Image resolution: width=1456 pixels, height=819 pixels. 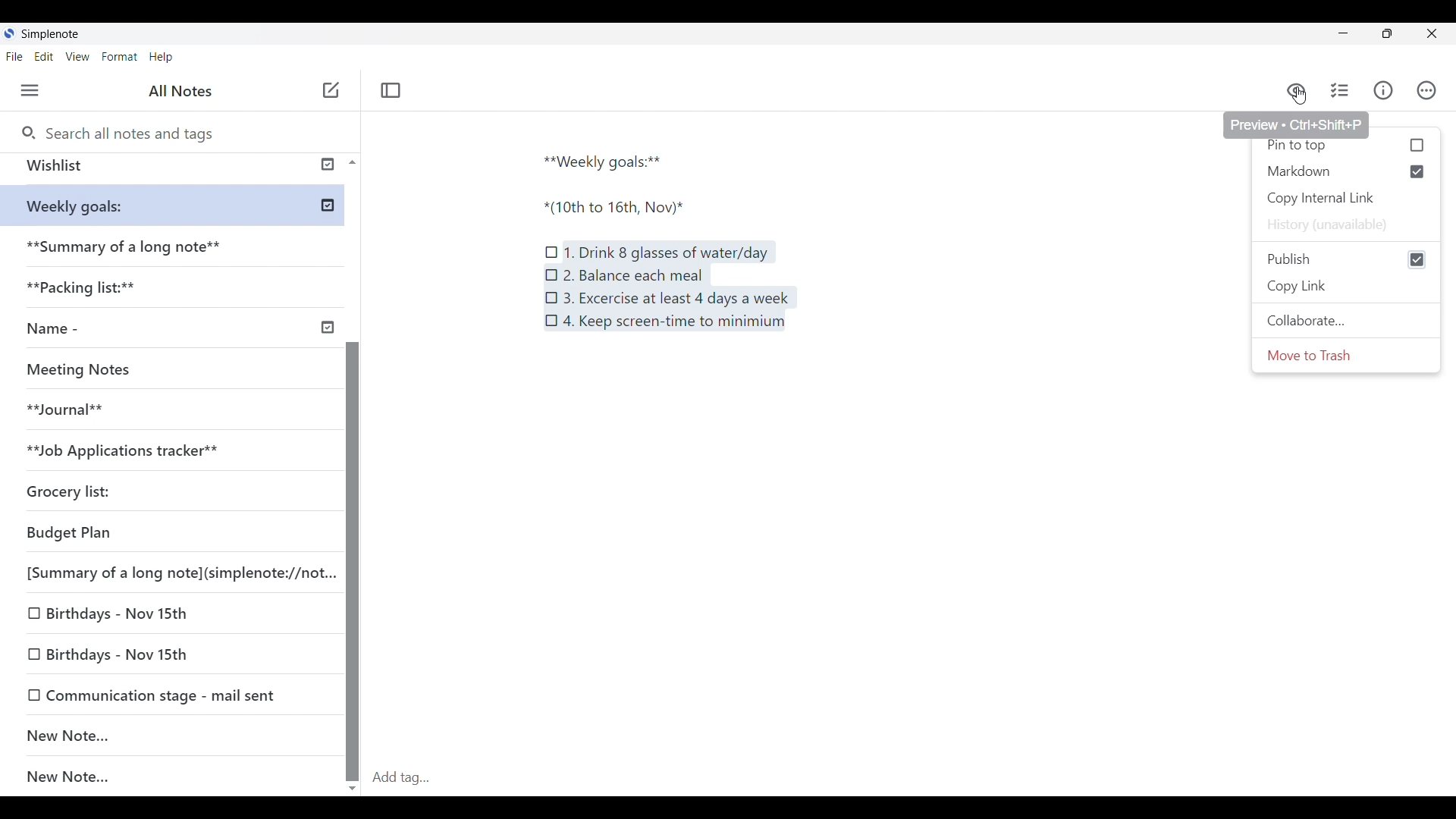 I want to click on New note, so click(x=331, y=89).